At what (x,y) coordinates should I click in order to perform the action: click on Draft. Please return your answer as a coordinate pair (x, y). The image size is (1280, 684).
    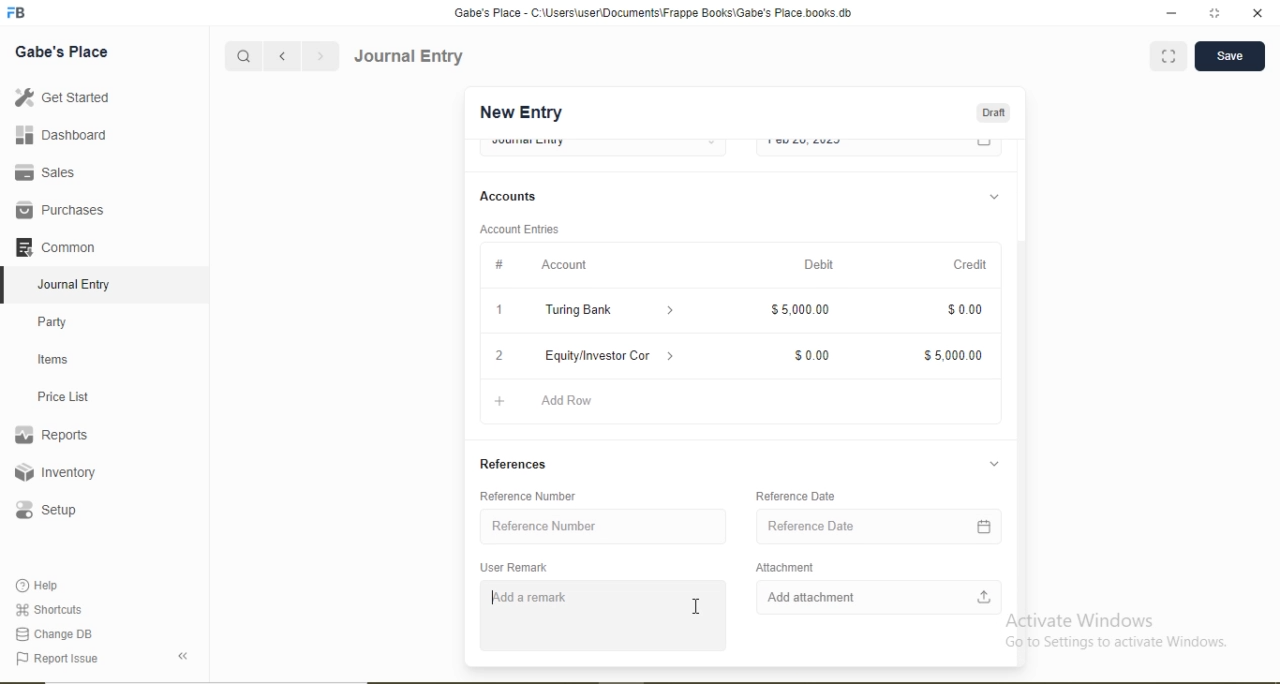
    Looking at the image, I should click on (993, 114).